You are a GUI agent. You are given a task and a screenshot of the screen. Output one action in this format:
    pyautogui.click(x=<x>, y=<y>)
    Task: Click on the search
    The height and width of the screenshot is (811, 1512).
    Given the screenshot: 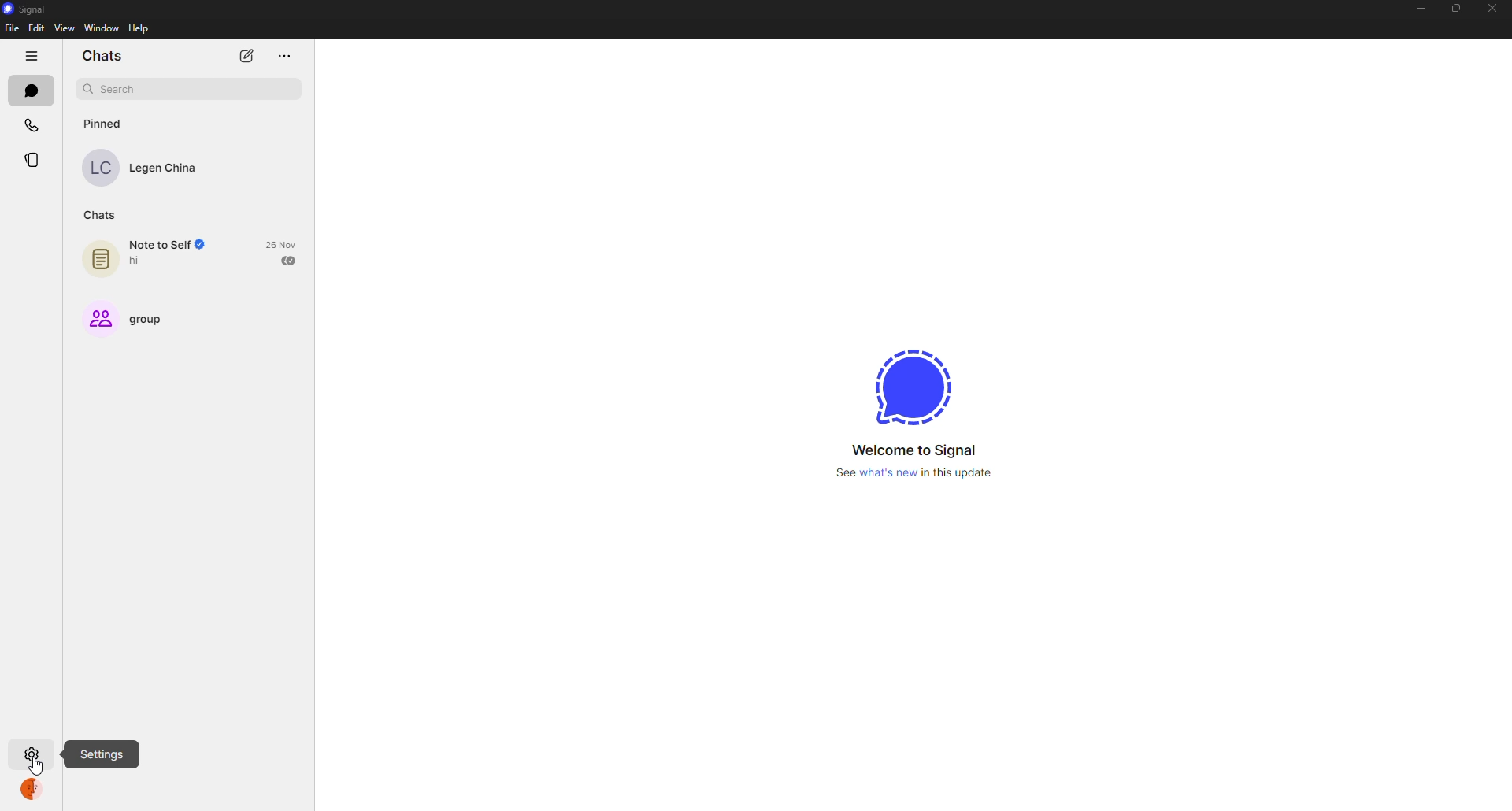 What is the action you would take?
    pyautogui.click(x=112, y=89)
    